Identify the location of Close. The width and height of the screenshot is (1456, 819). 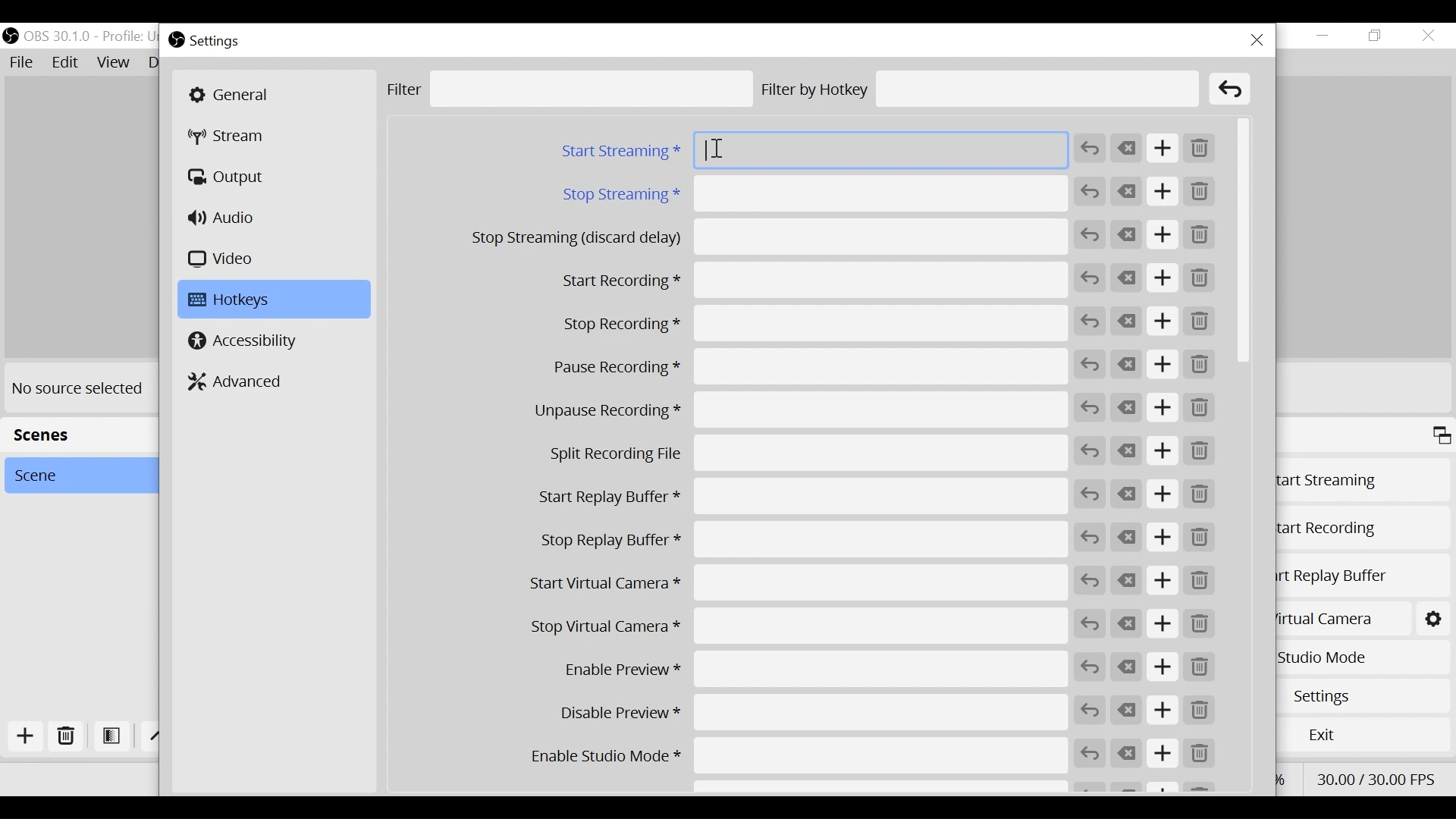
(1427, 36).